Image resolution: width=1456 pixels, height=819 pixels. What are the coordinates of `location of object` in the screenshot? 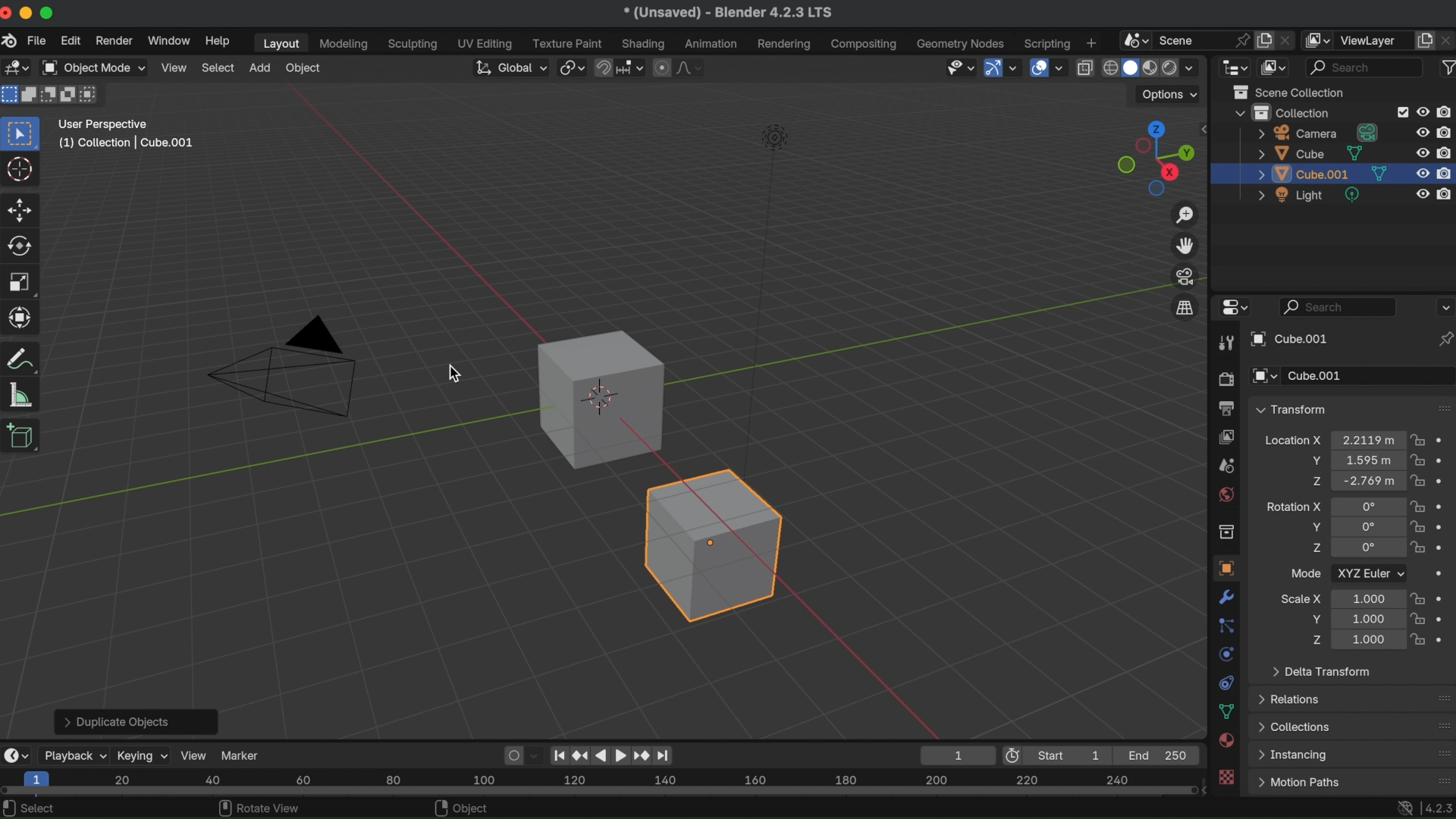 It's located at (1366, 459).